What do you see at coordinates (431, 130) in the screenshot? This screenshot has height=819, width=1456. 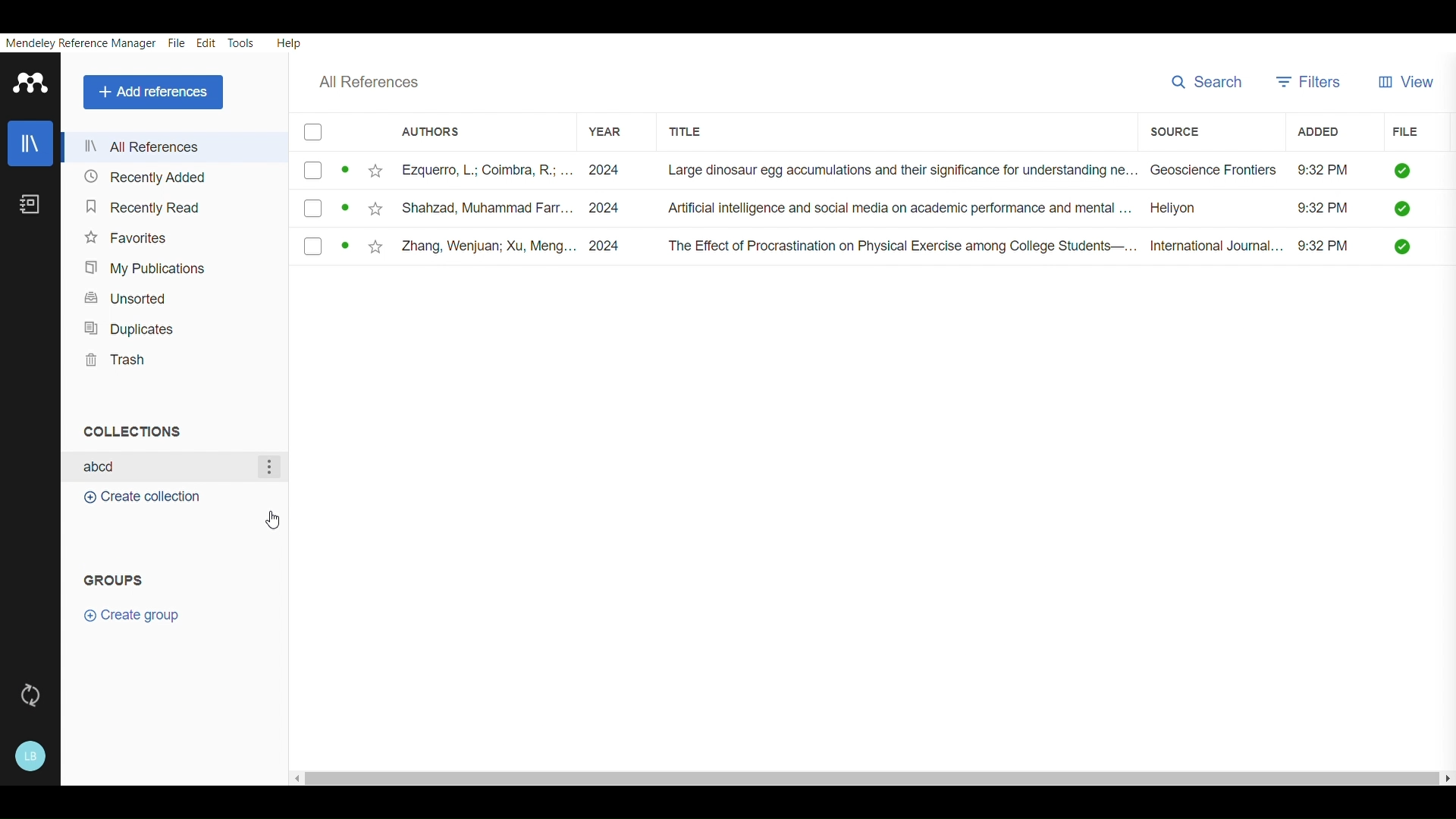 I see `Authors` at bounding box center [431, 130].